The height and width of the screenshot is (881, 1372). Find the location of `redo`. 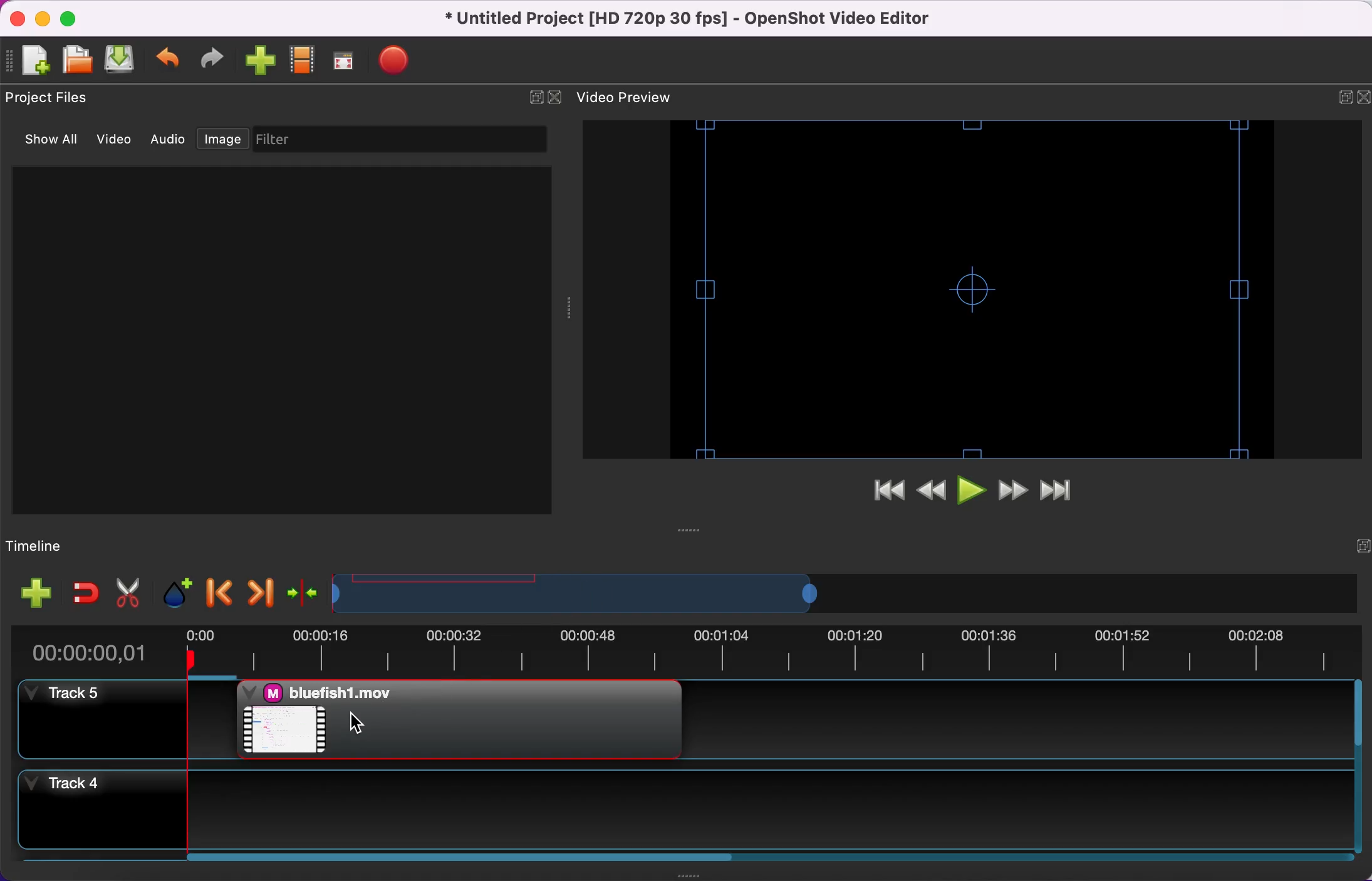

redo is located at coordinates (217, 61).